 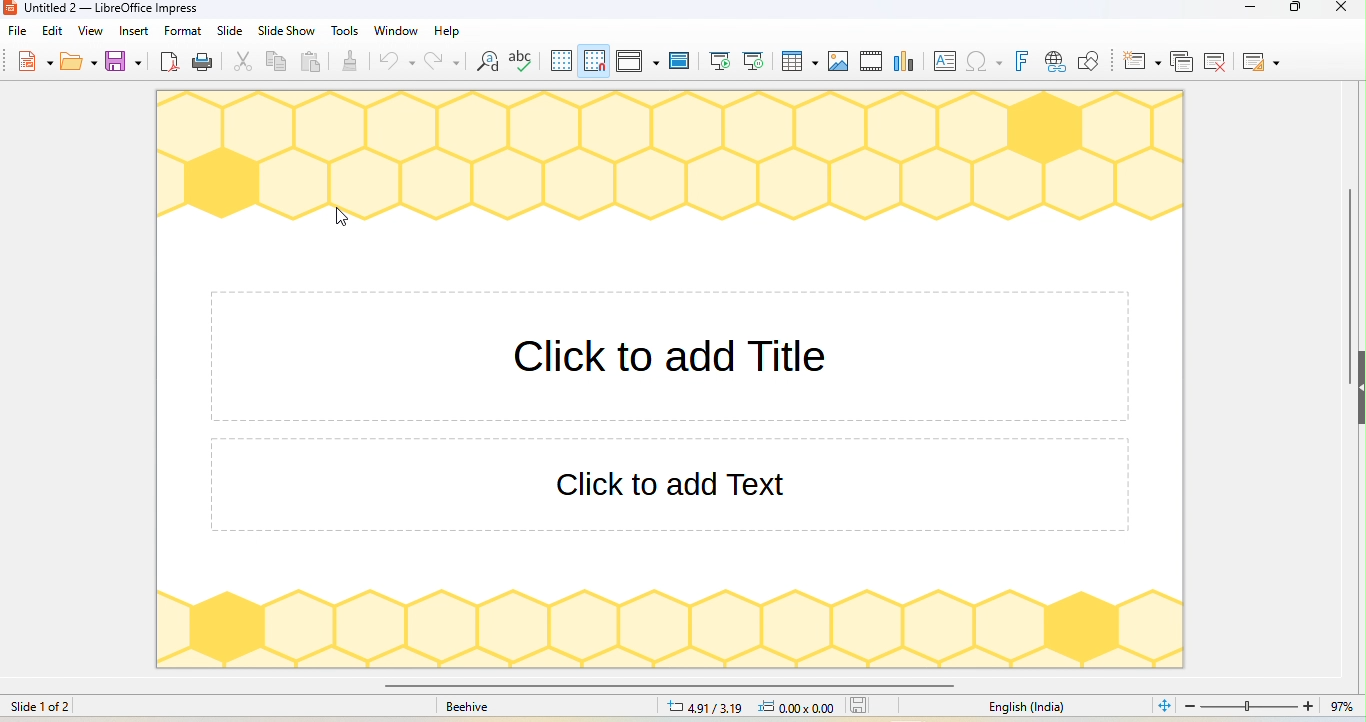 I want to click on find and replace, so click(x=487, y=61).